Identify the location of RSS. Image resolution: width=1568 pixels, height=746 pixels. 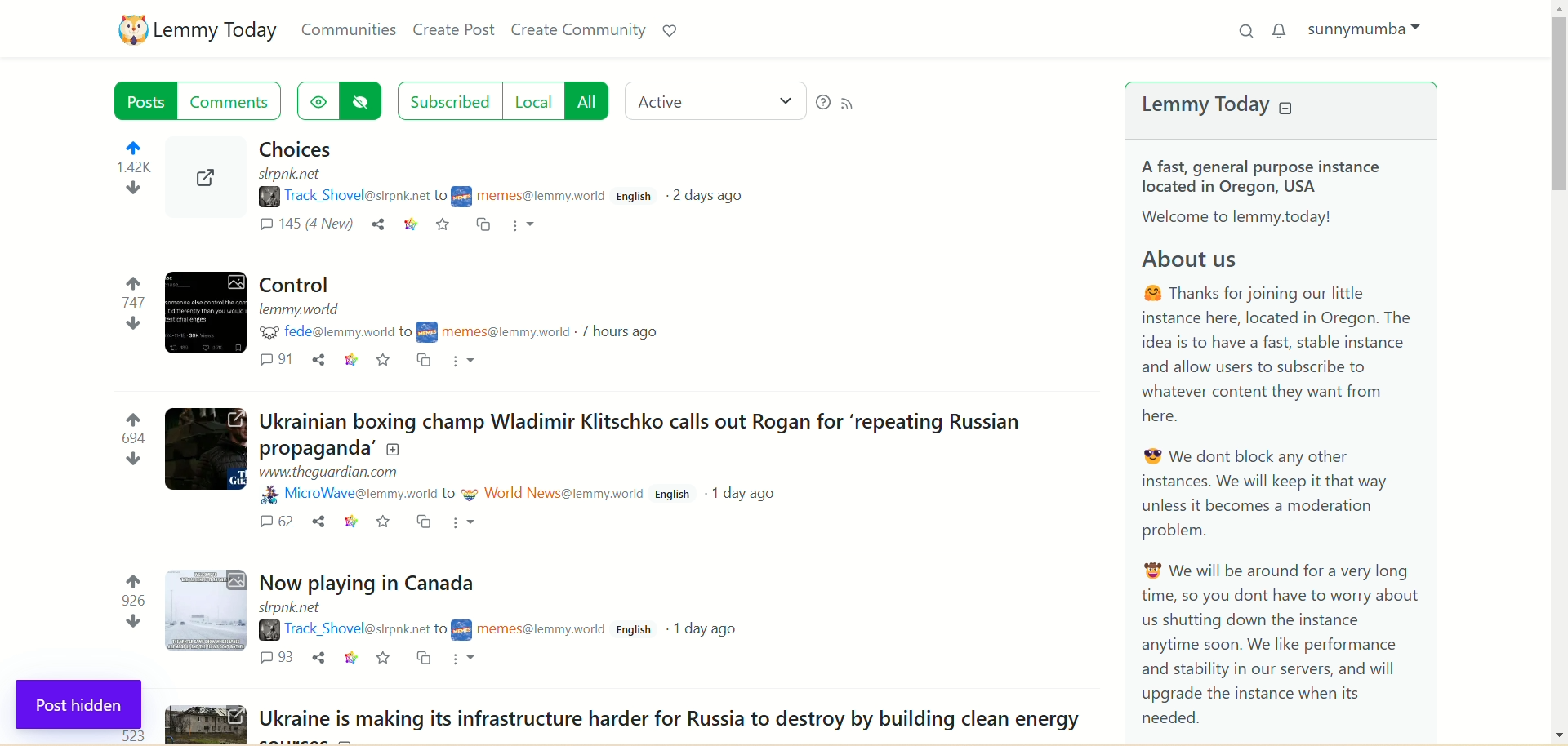
(853, 106).